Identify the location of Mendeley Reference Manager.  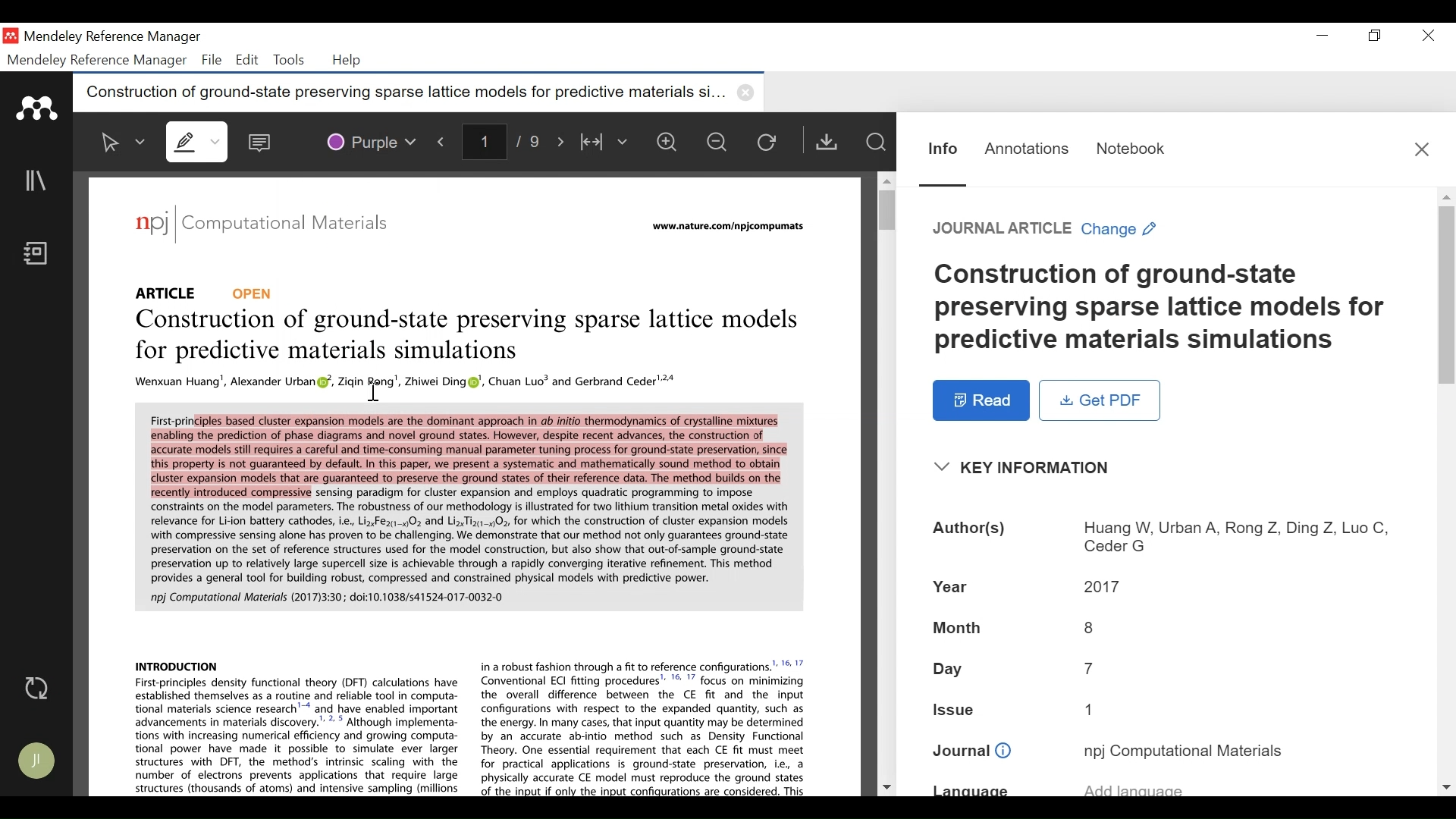
(116, 38).